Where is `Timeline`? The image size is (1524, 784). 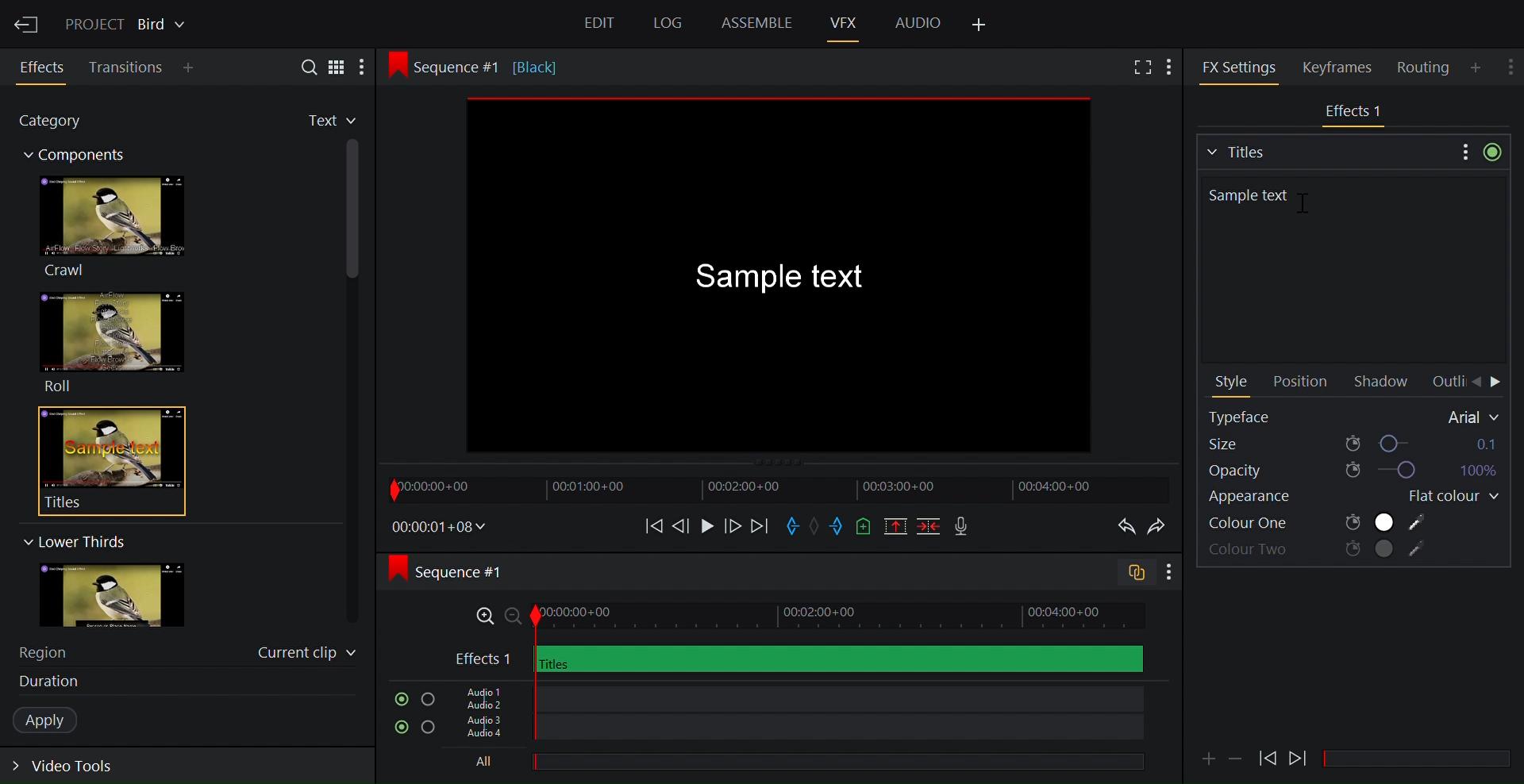
Timeline is located at coordinates (777, 489).